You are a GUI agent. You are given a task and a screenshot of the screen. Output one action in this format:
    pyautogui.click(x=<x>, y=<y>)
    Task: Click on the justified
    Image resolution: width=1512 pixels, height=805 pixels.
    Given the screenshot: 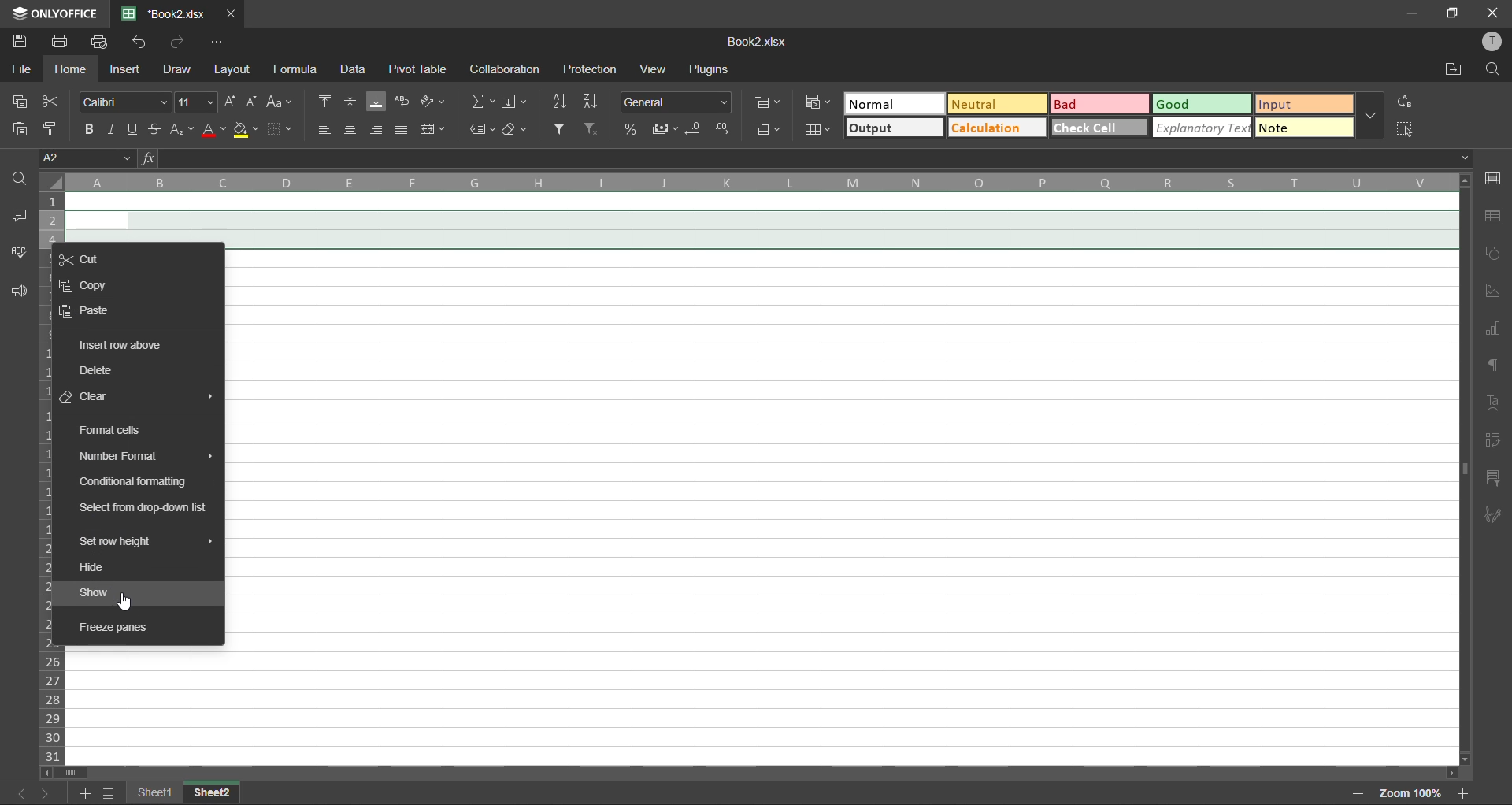 What is the action you would take?
    pyautogui.click(x=402, y=128)
    